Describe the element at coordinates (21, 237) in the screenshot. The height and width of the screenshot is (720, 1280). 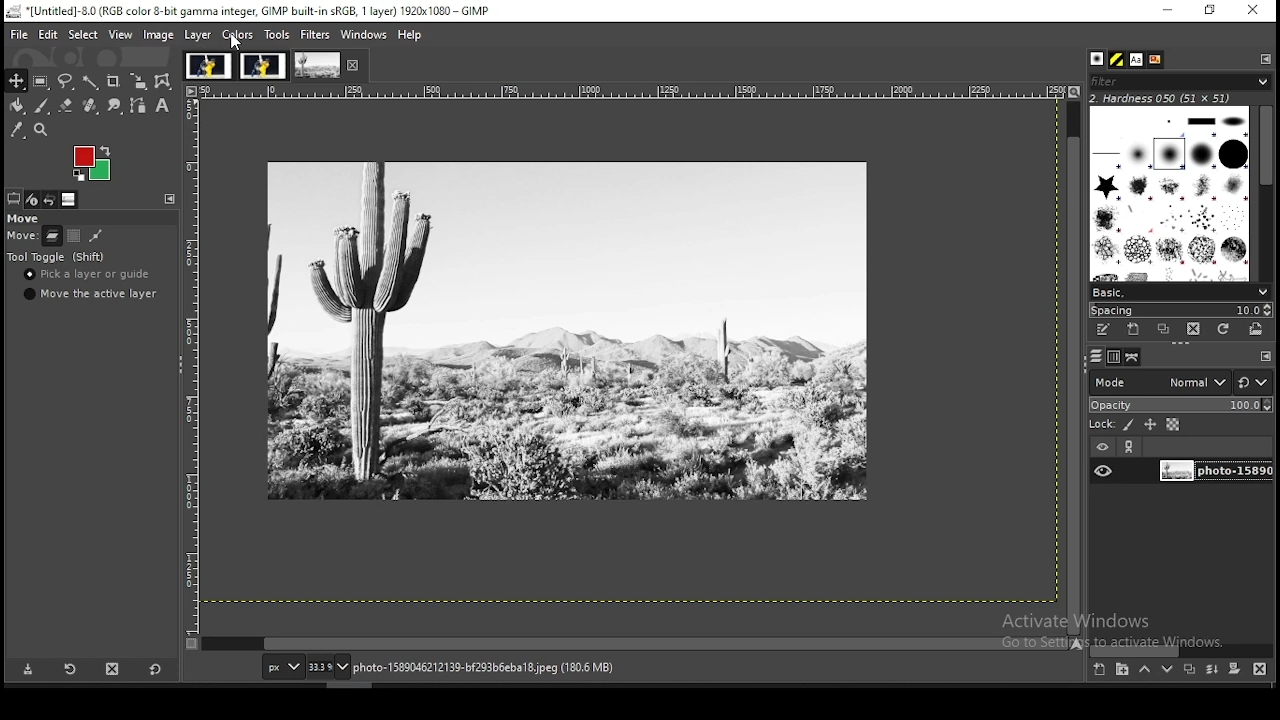
I see `move` at that location.